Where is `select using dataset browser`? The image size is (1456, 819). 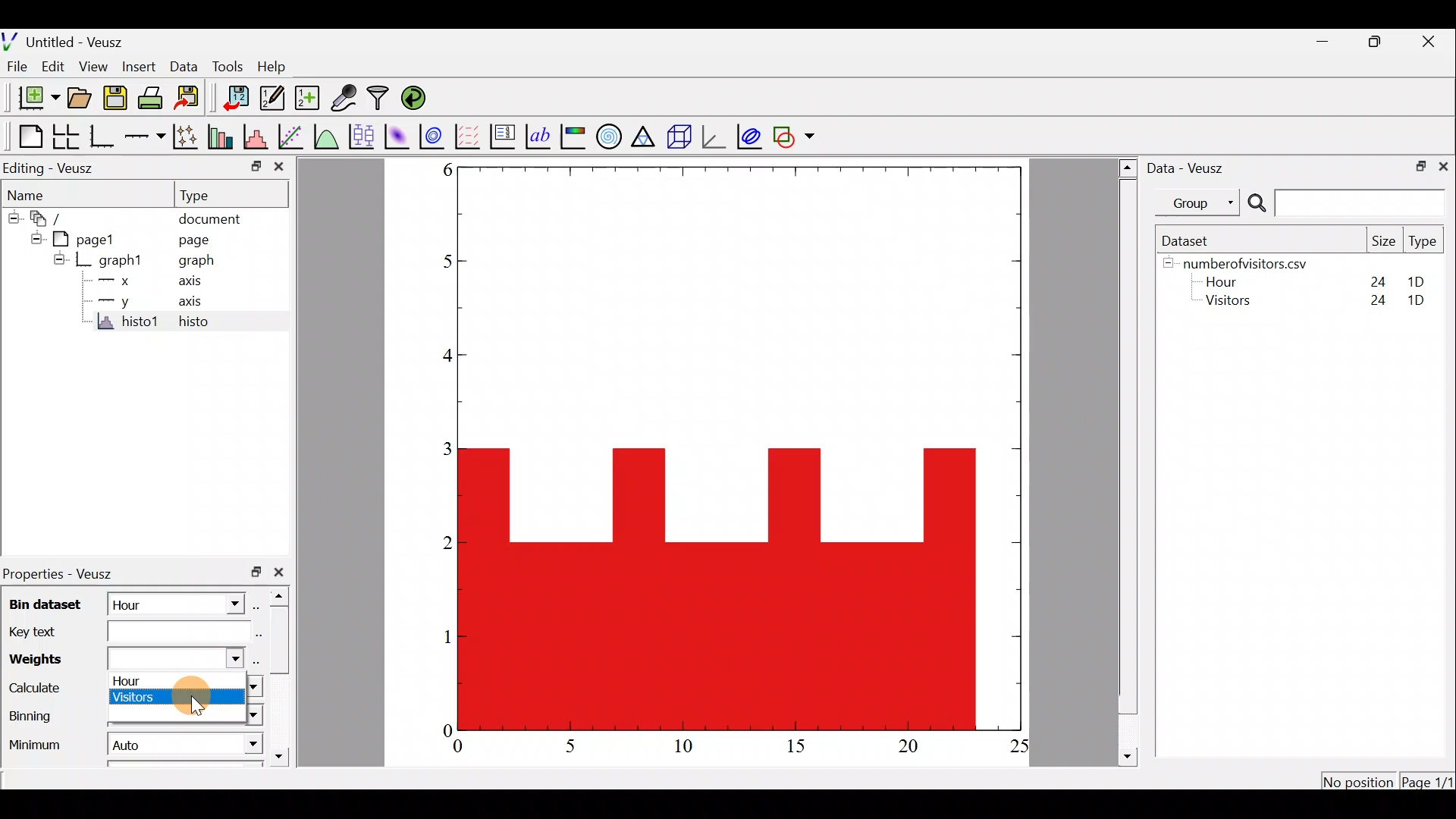 select using dataset browser is located at coordinates (255, 663).